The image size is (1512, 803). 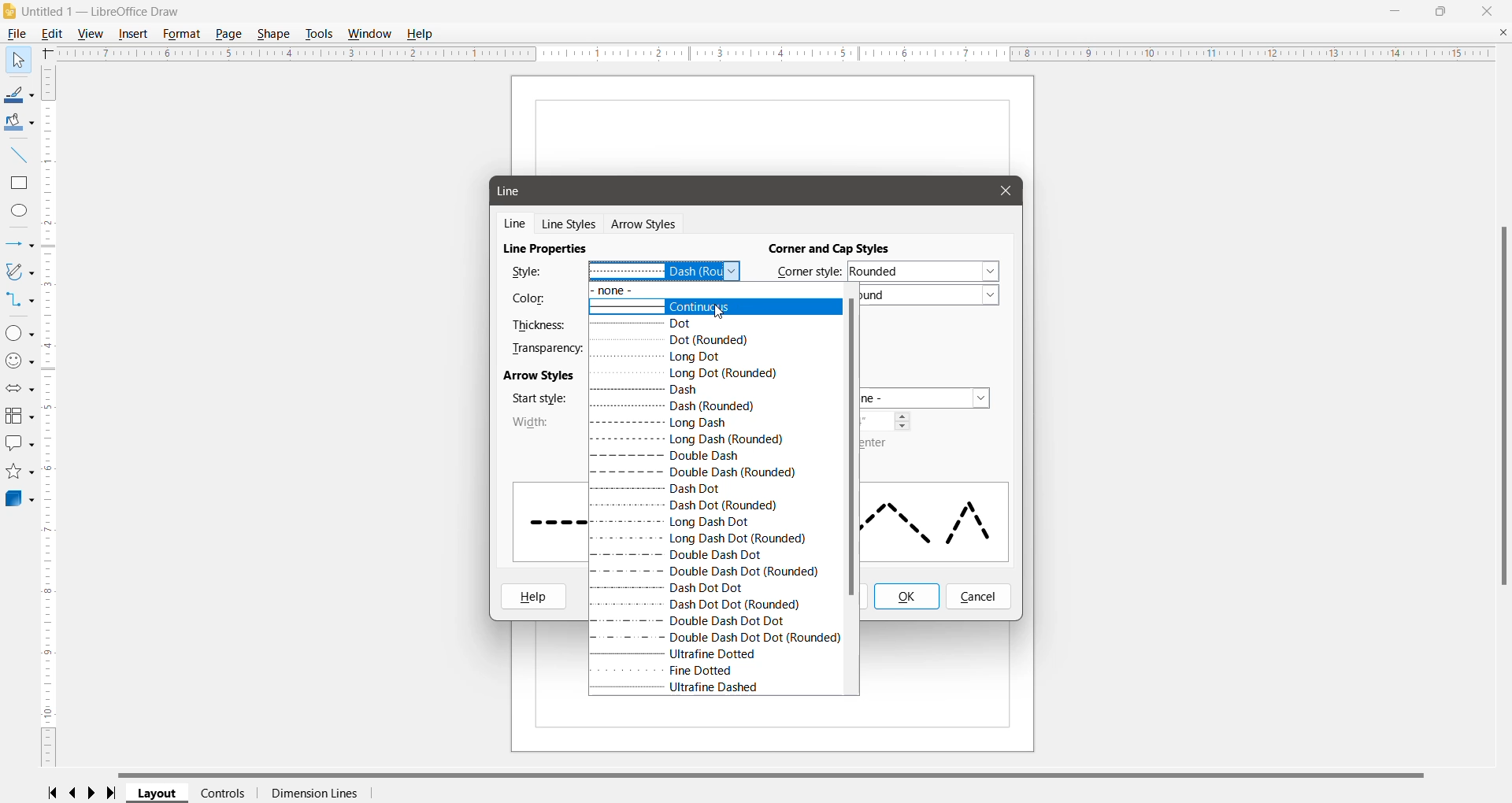 What do you see at coordinates (108, 12) in the screenshot?
I see `Document Title - Application Name` at bounding box center [108, 12].